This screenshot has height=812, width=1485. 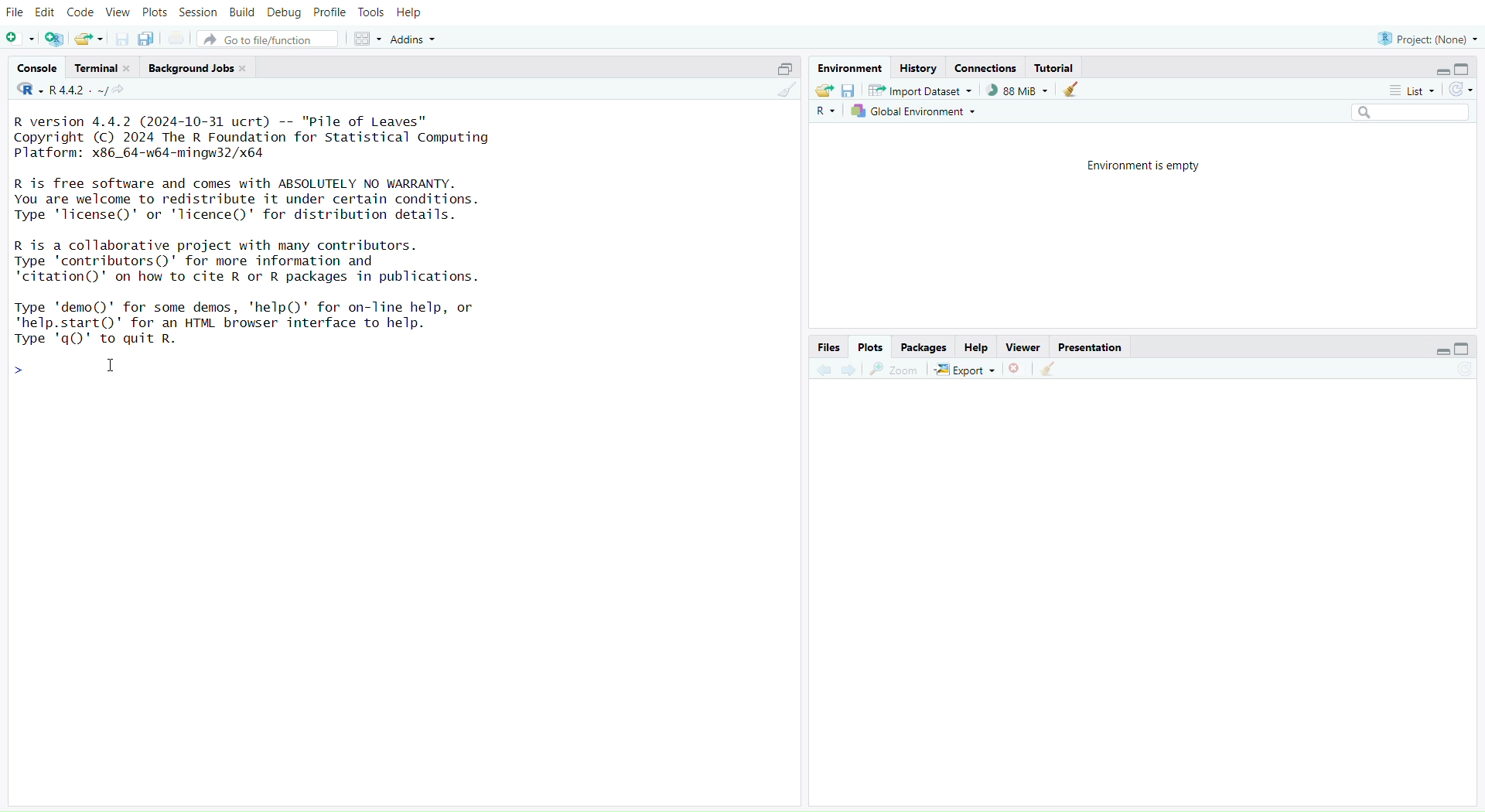 What do you see at coordinates (103, 67) in the screenshot?
I see `terminal` at bounding box center [103, 67].